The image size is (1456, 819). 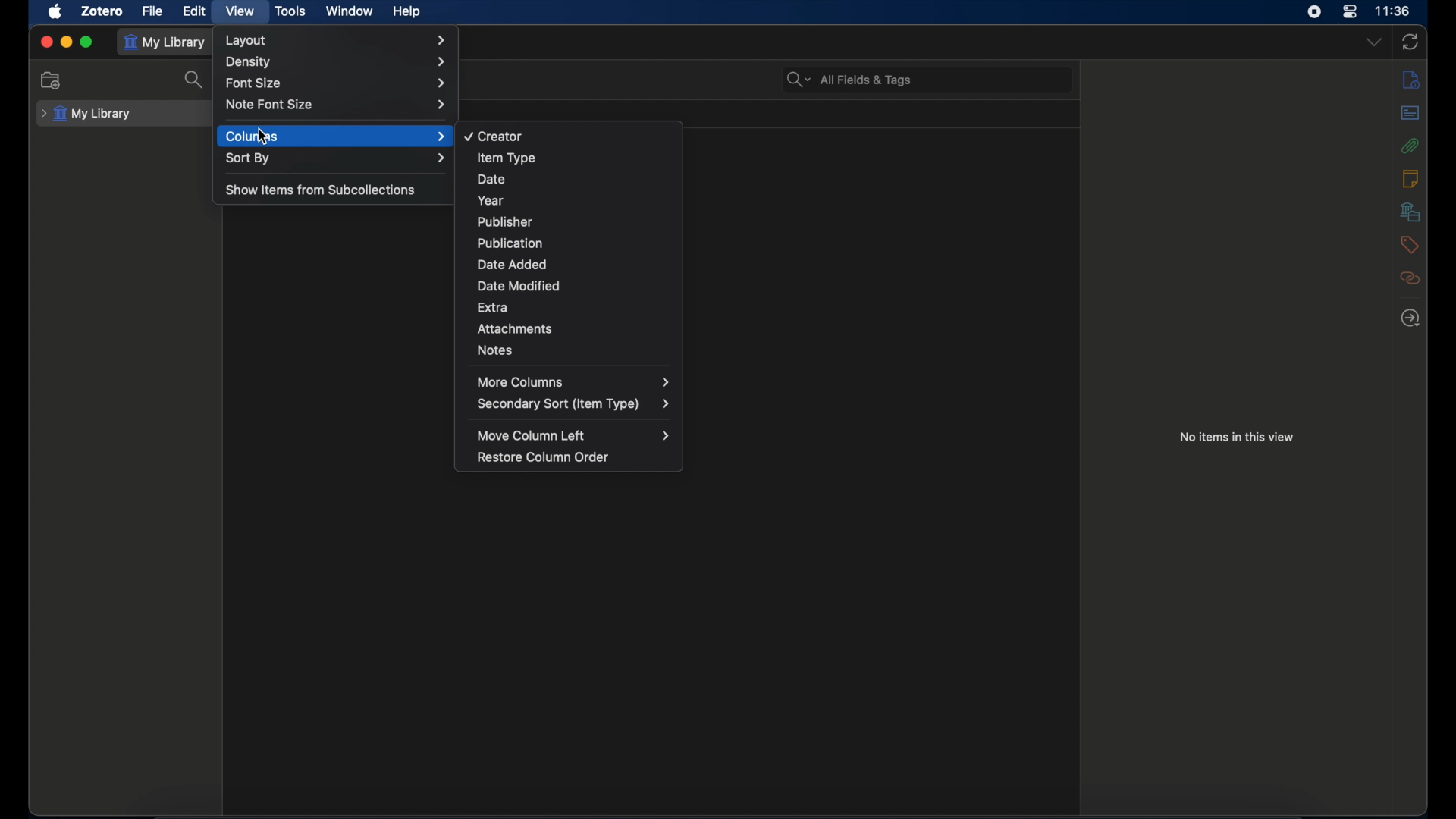 I want to click on columns, so click(x=337, y=136).